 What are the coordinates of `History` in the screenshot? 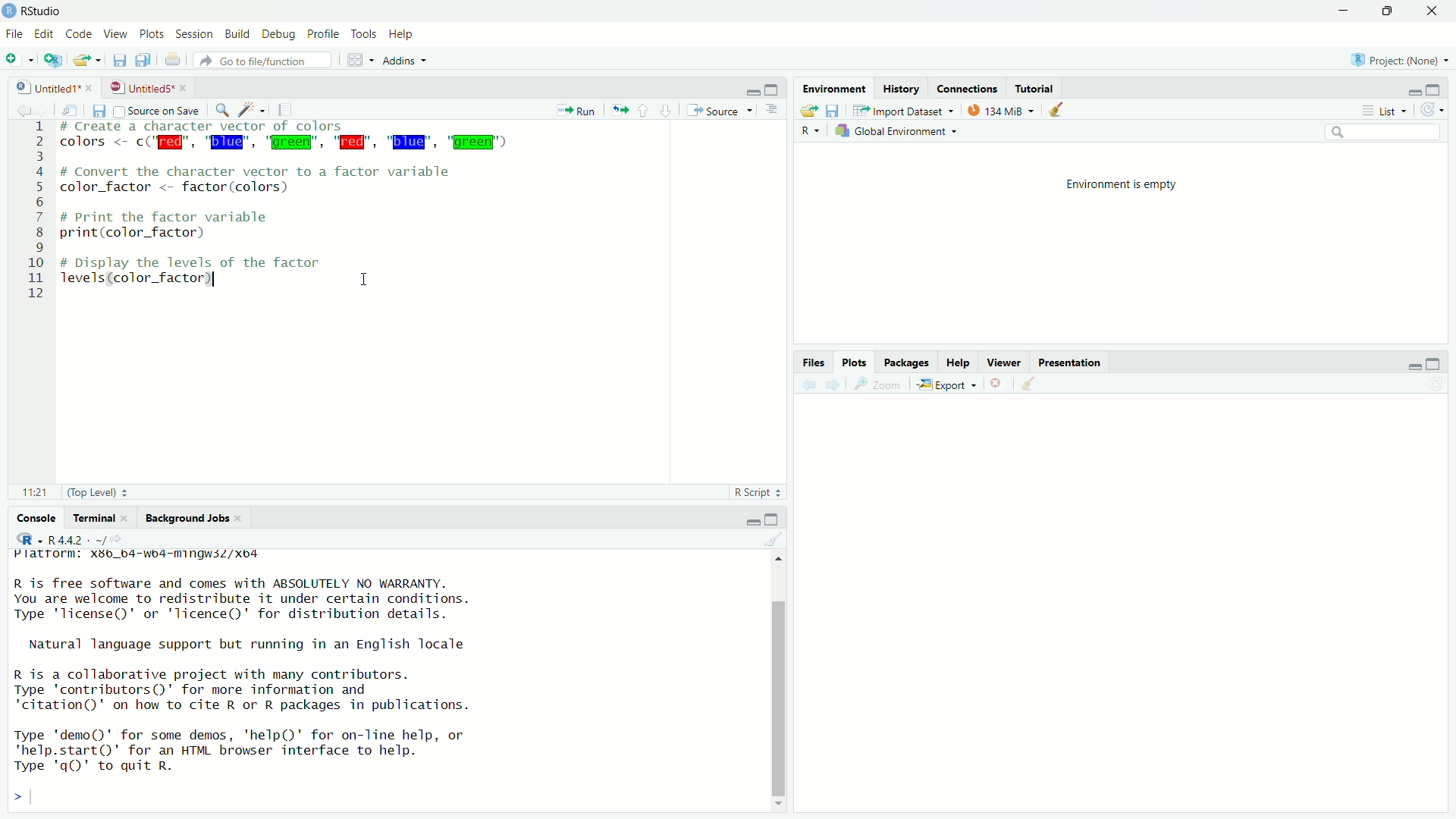 It's located at (900, 86).